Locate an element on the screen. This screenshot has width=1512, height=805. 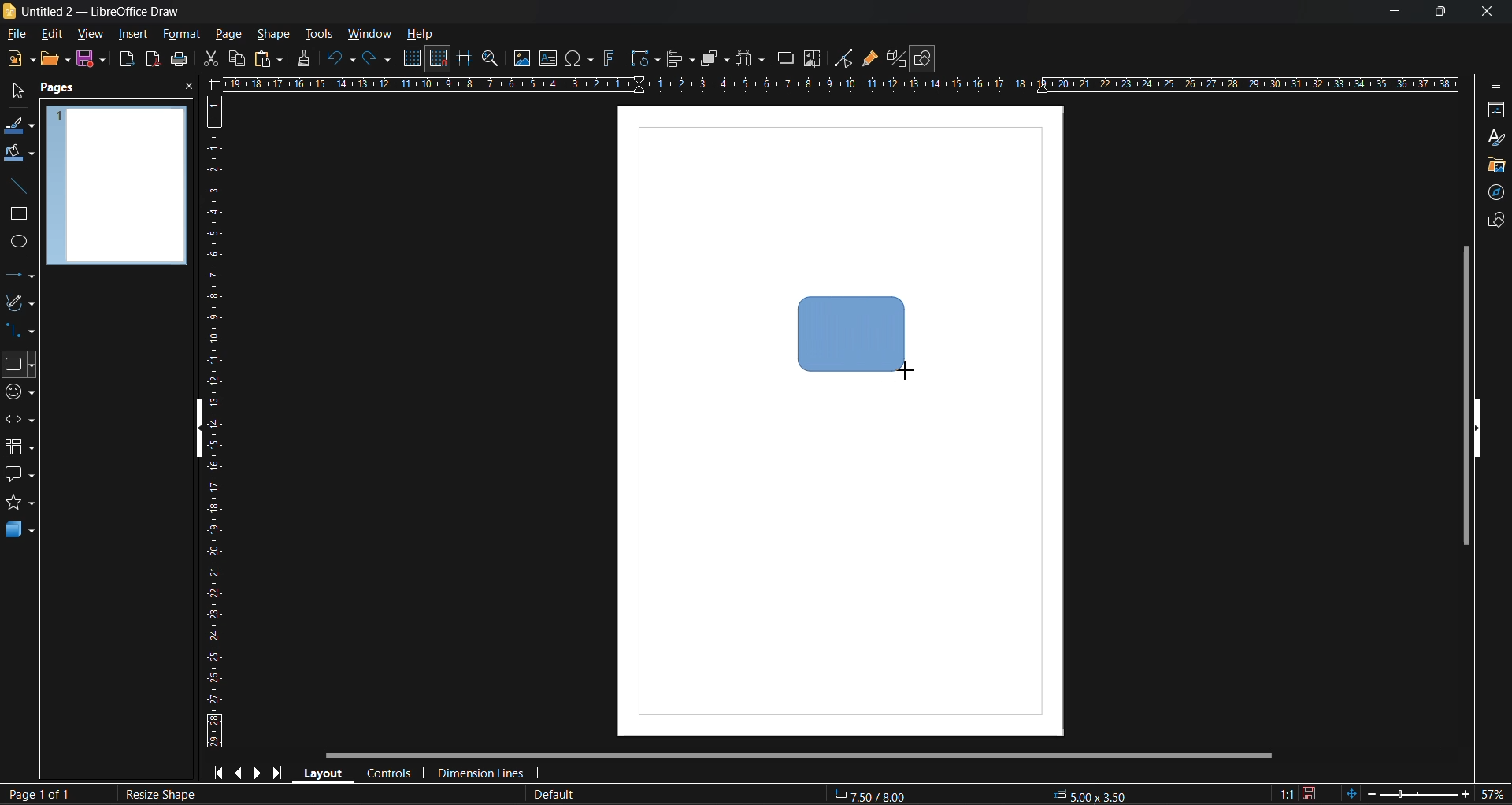
transformations is located at coordinates (645, 59).